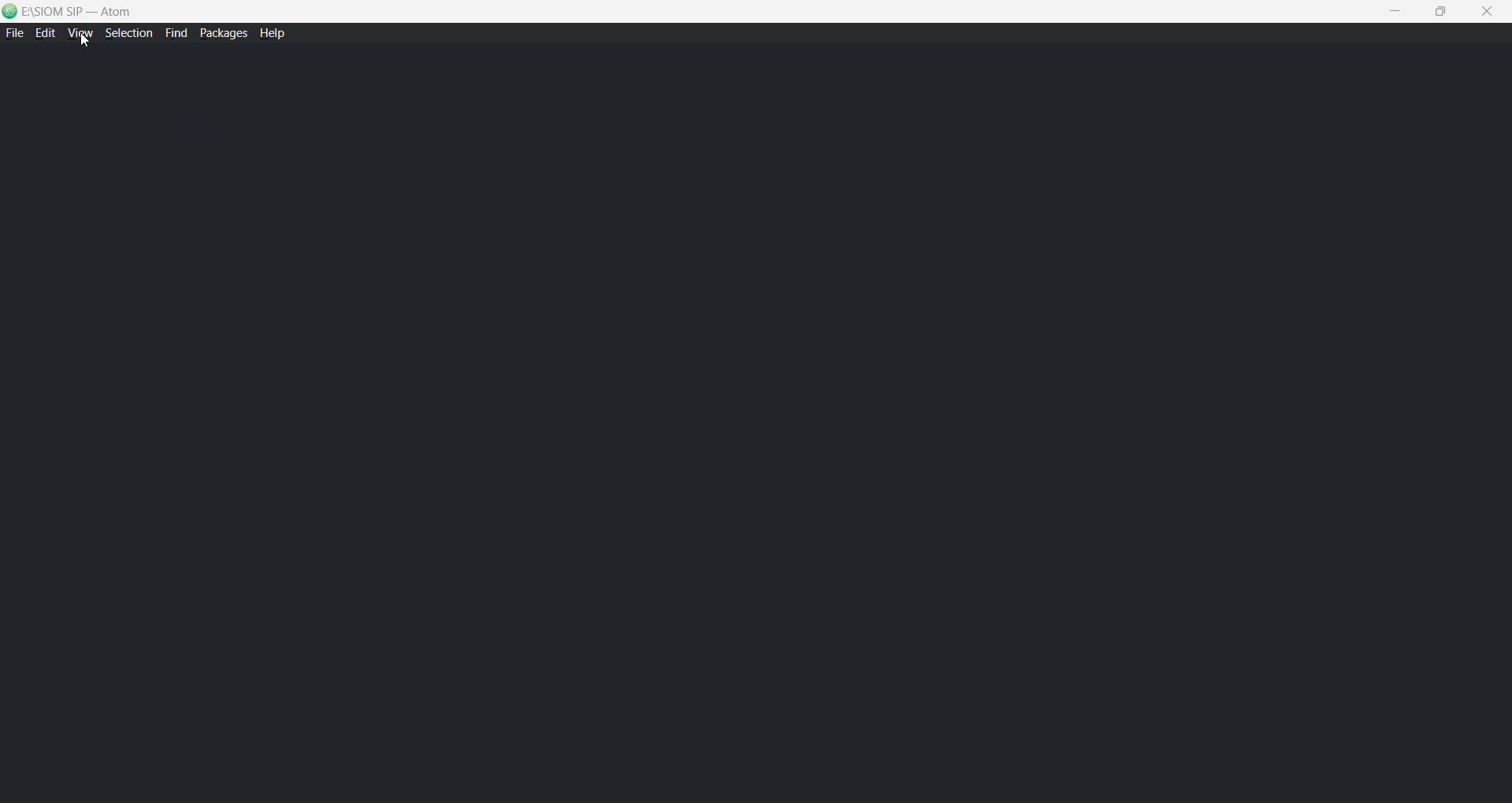  Describe the element at coordinates (1395, 9) in the screenshot. I see `minimize` at that location.